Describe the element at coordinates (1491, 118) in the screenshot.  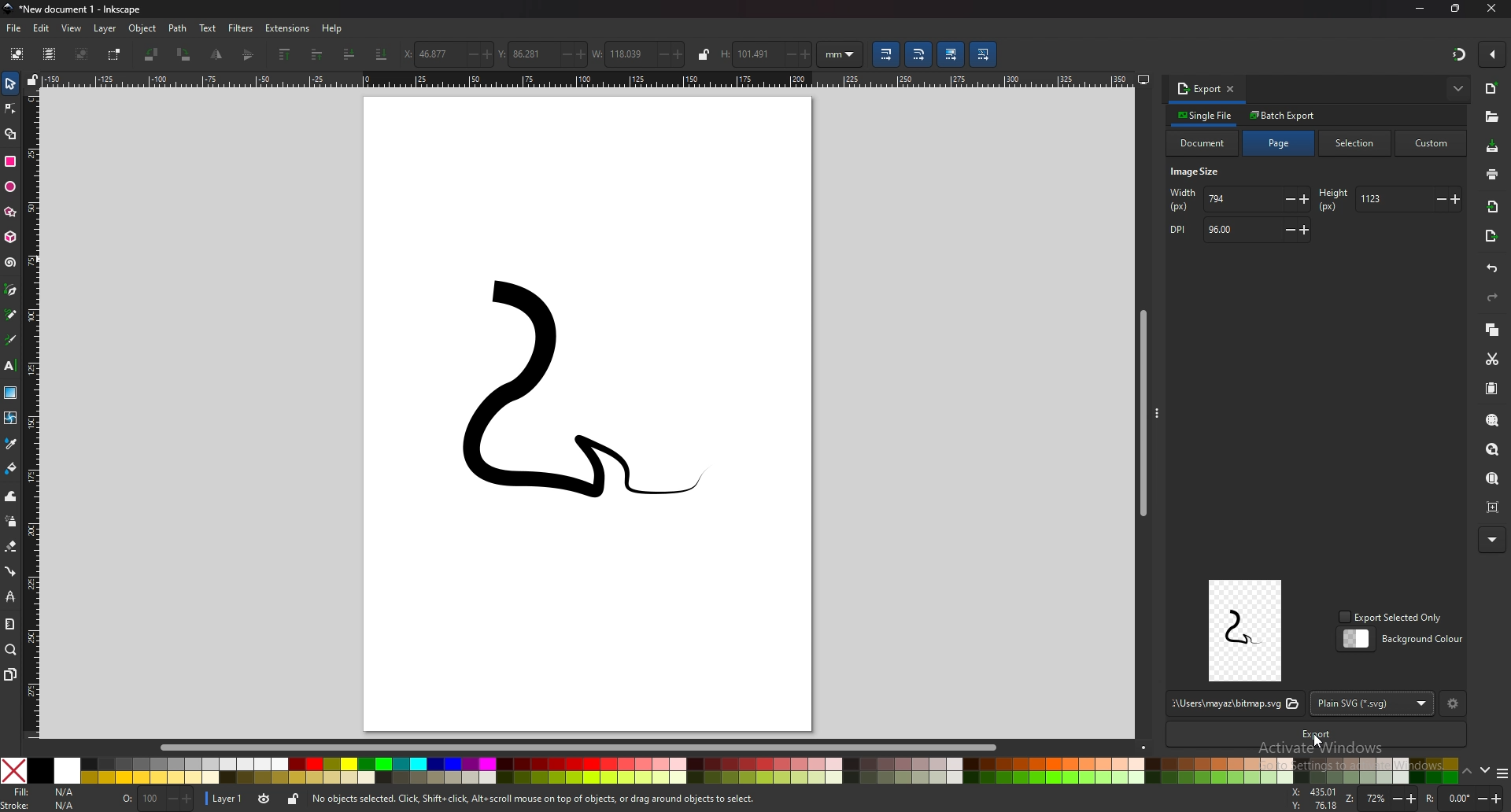
I see `open` at that location.